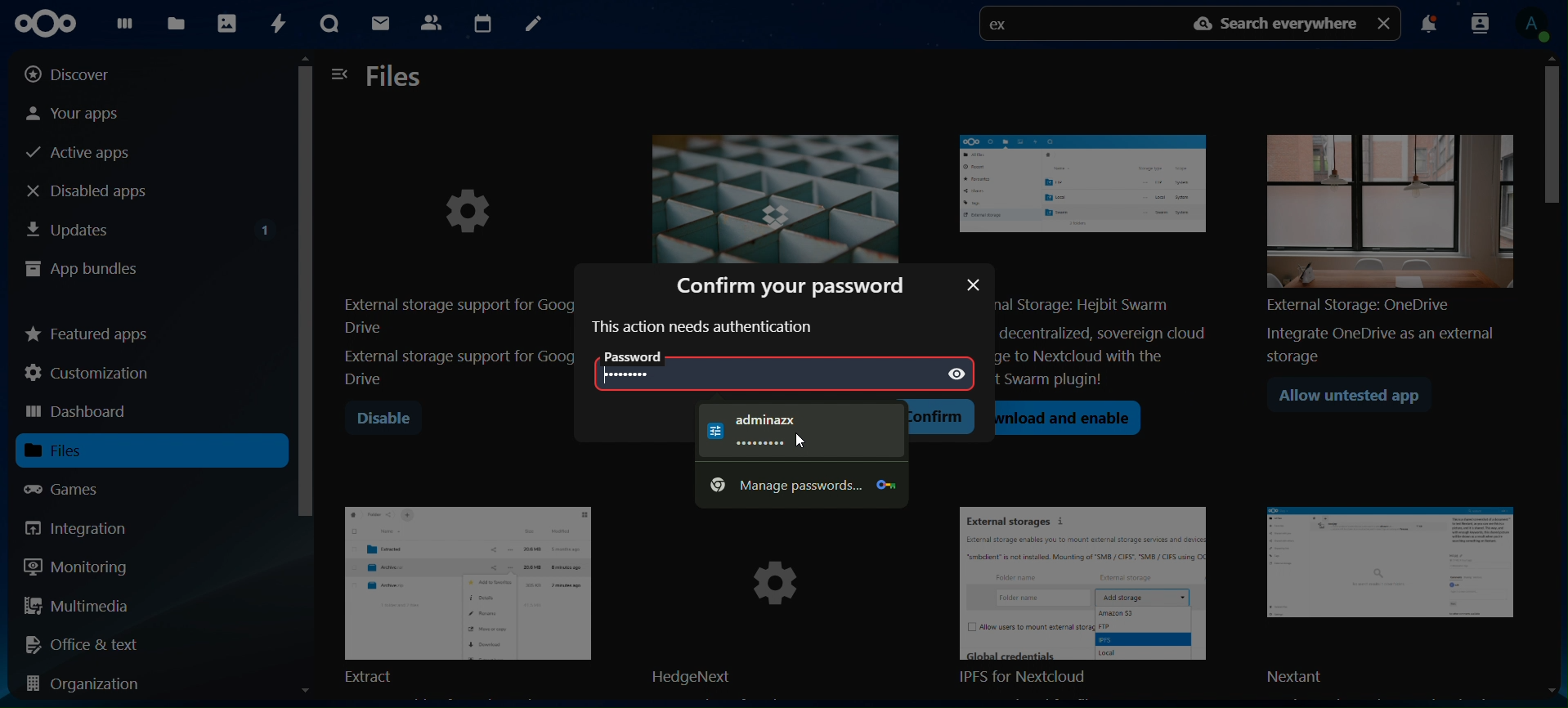 The image size is (1568, 708). I want to click on this action needs authentication, so click(705, 327).